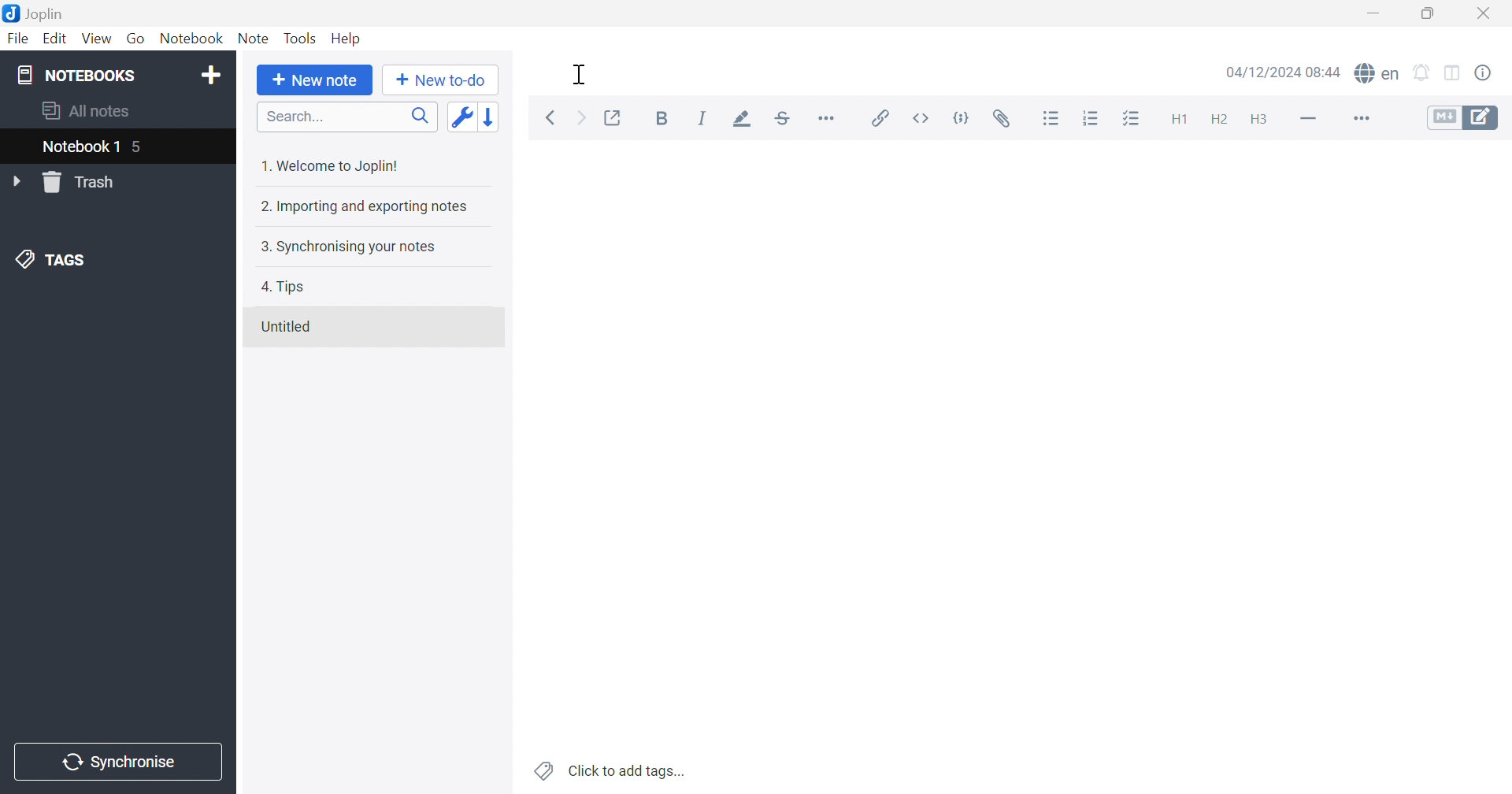 This screenshot has height=794, width=1512. Describe the element at coordinates (58, 41) in the screenshot. I see `Edit` at that location.